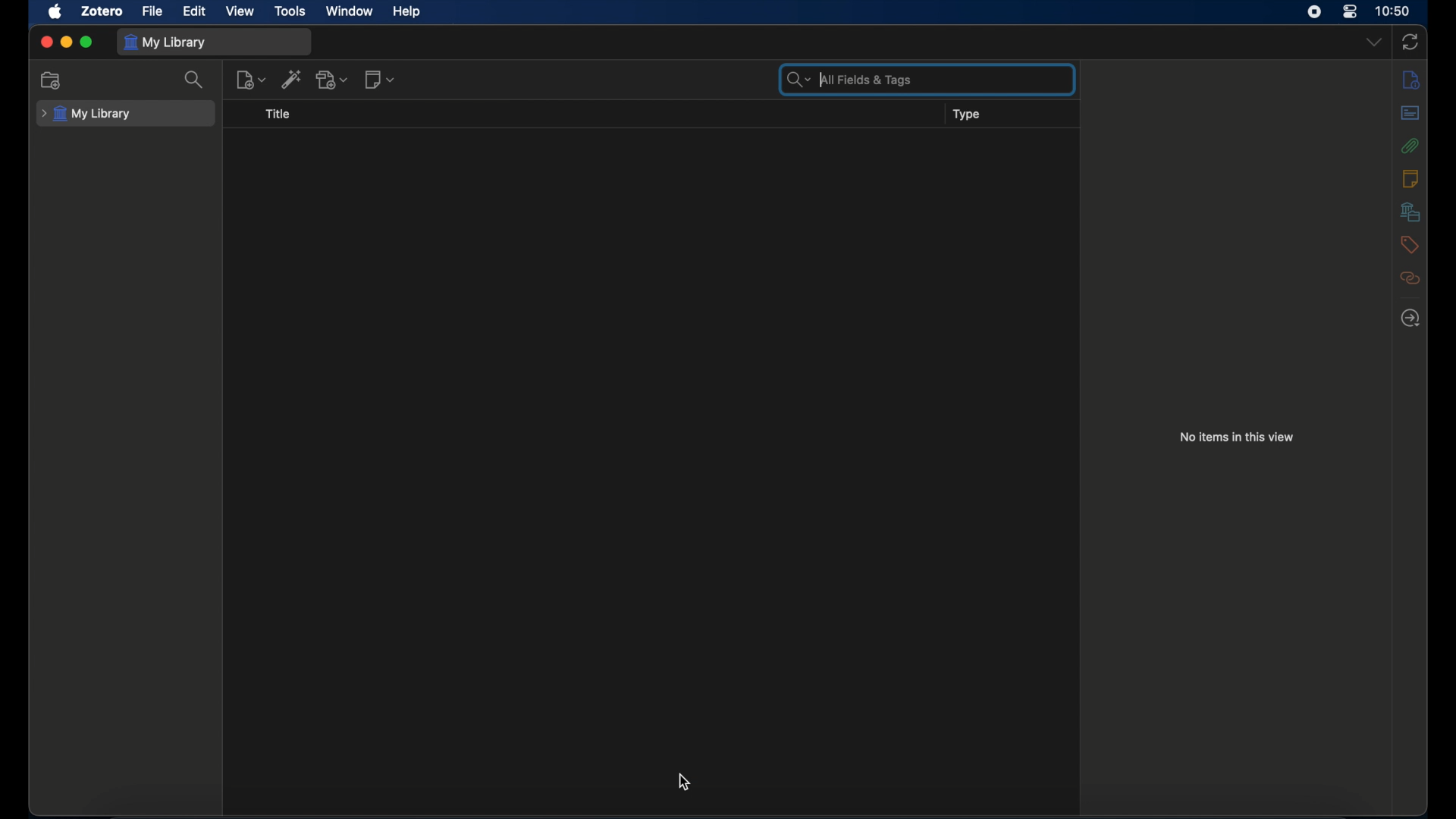 The width and height of the screenshot is (1456, 819). Describe the element at coordinates (241, 12) in the screenshot. I see `view` at that location.